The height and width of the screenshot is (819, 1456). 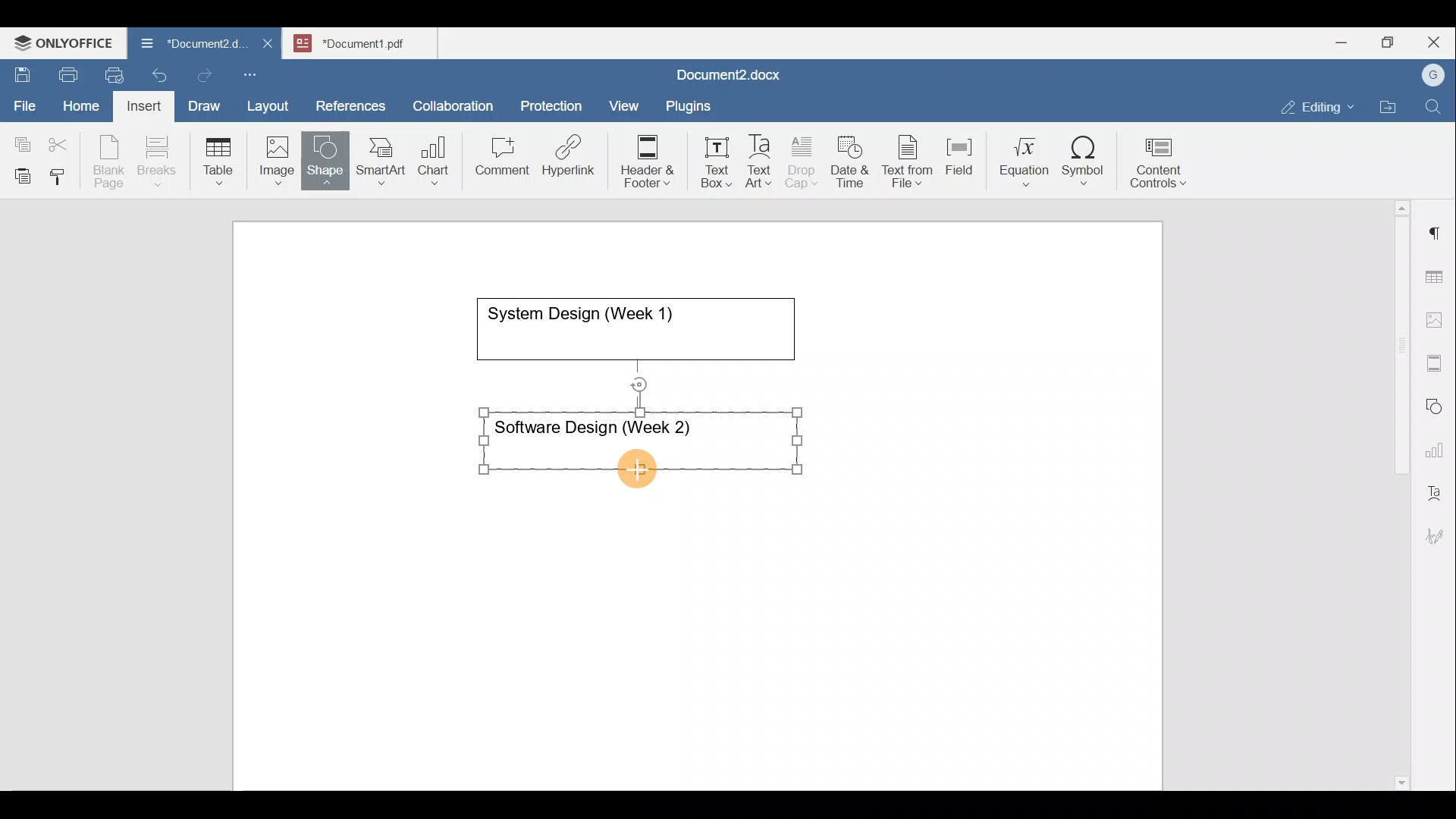 What do you see at coordinates (327, 153) in the screenshot?
I see `Shape` at bounding box center [327, 153].